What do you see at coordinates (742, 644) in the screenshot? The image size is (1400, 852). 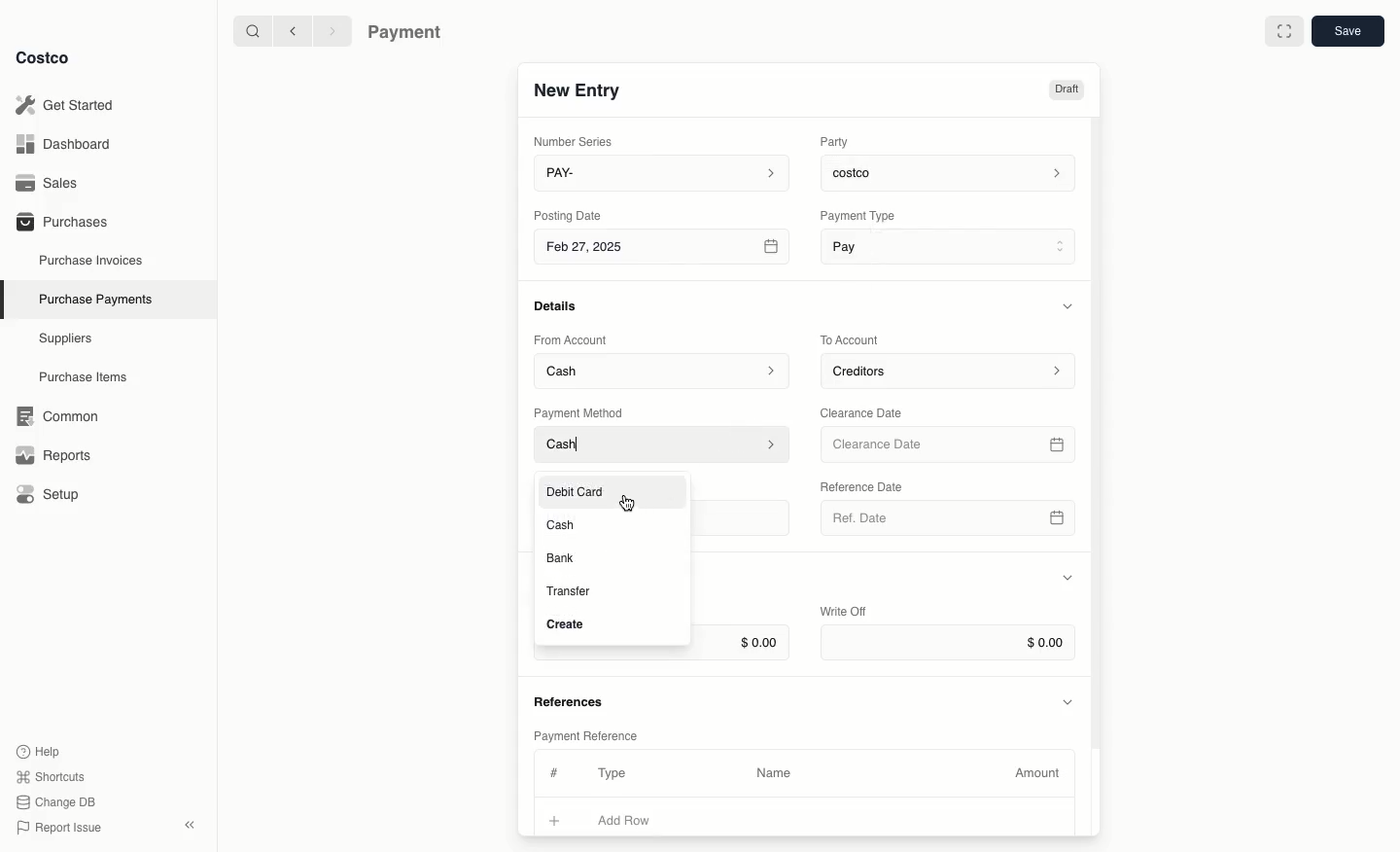 I see `$0.00` at bounding box center [742, 644].